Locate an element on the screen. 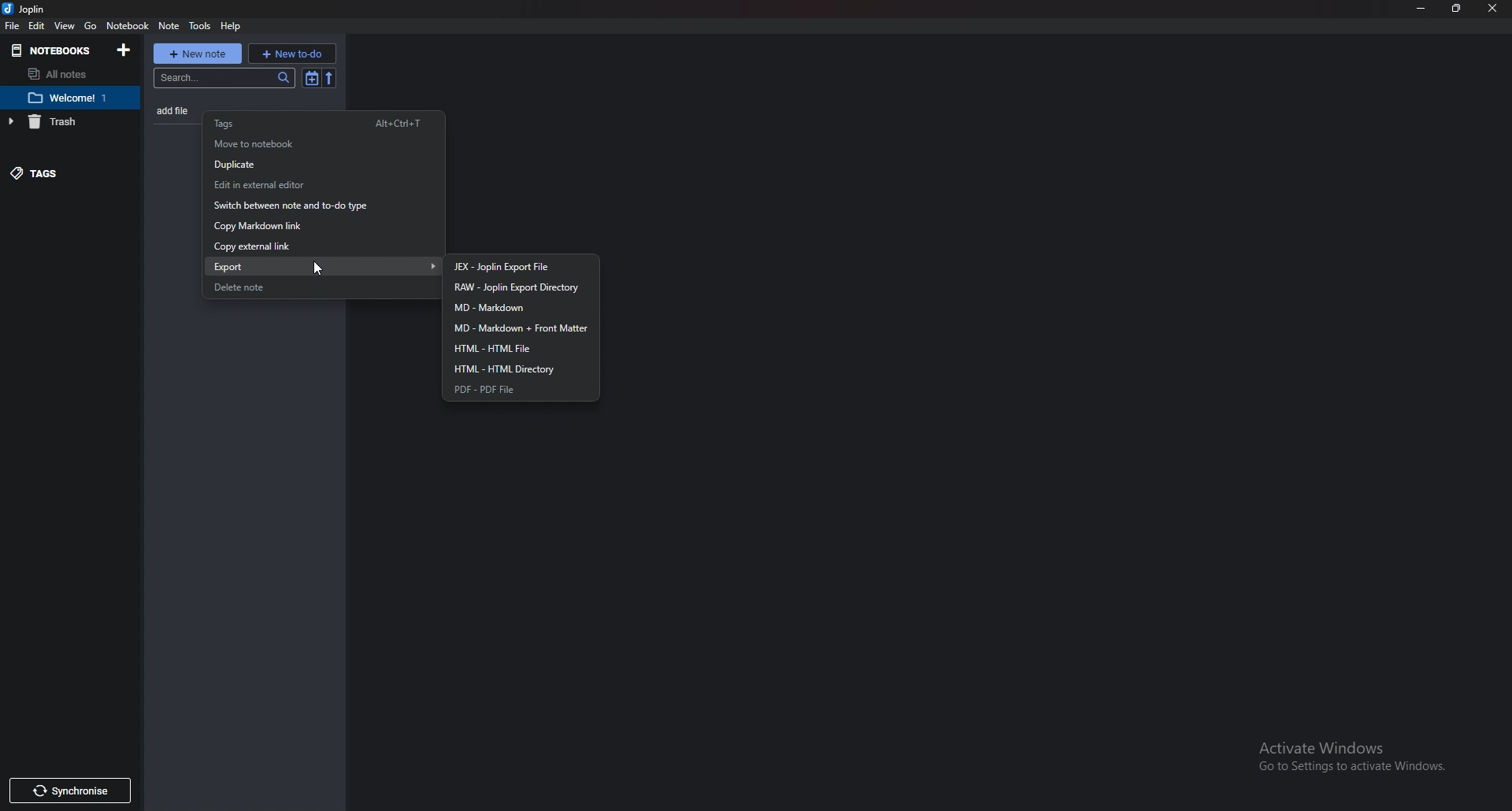 This screenshot has width=1512, height=811. trash is located at coordinates (61, 122).